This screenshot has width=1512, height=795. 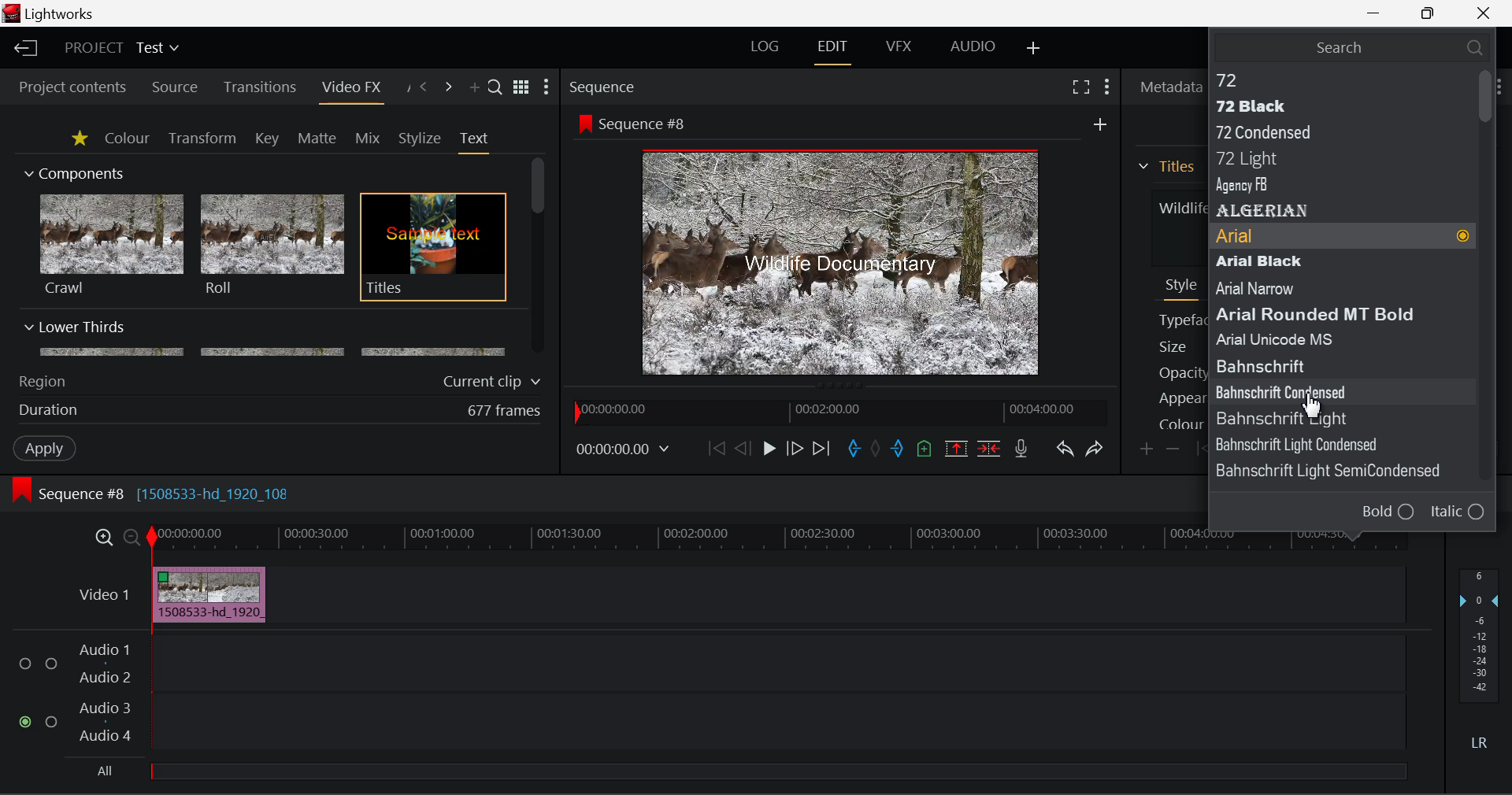 I want to click on Agency FB, so click(x=1329, y=187).